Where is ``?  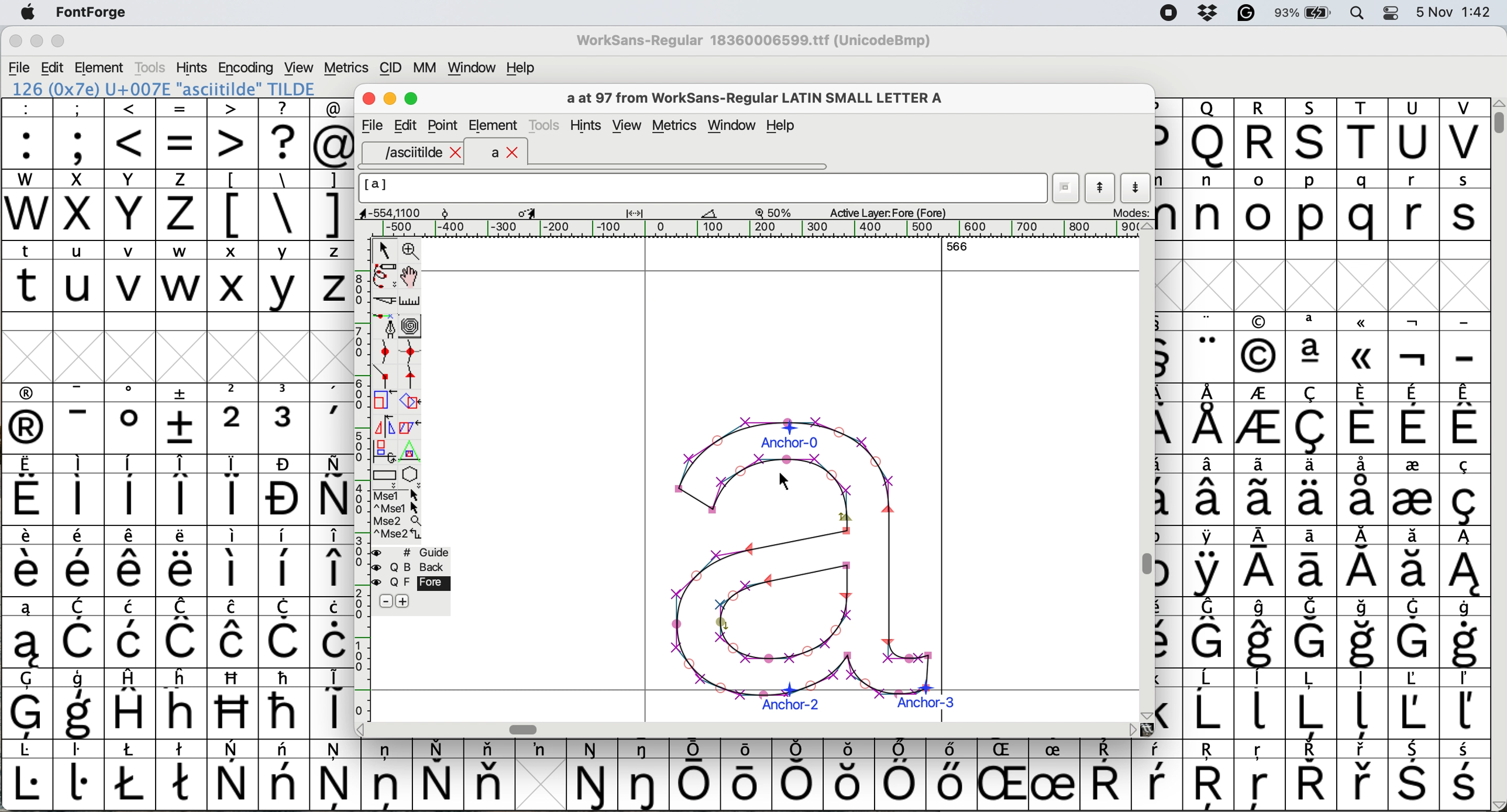  is located at coordinates (1006, 775).